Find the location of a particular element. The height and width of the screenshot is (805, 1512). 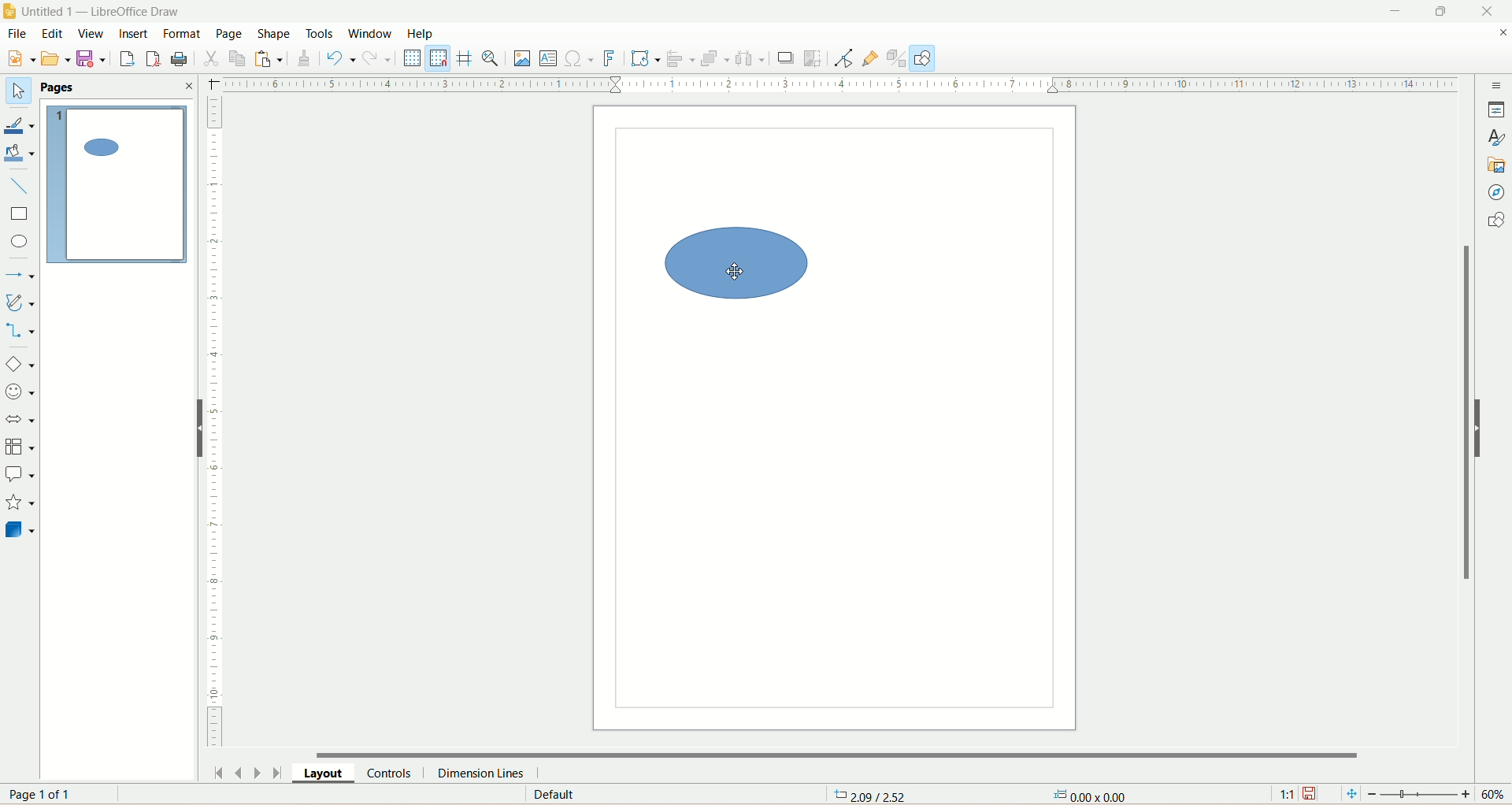

insert line is located at coordinates (19, 185).